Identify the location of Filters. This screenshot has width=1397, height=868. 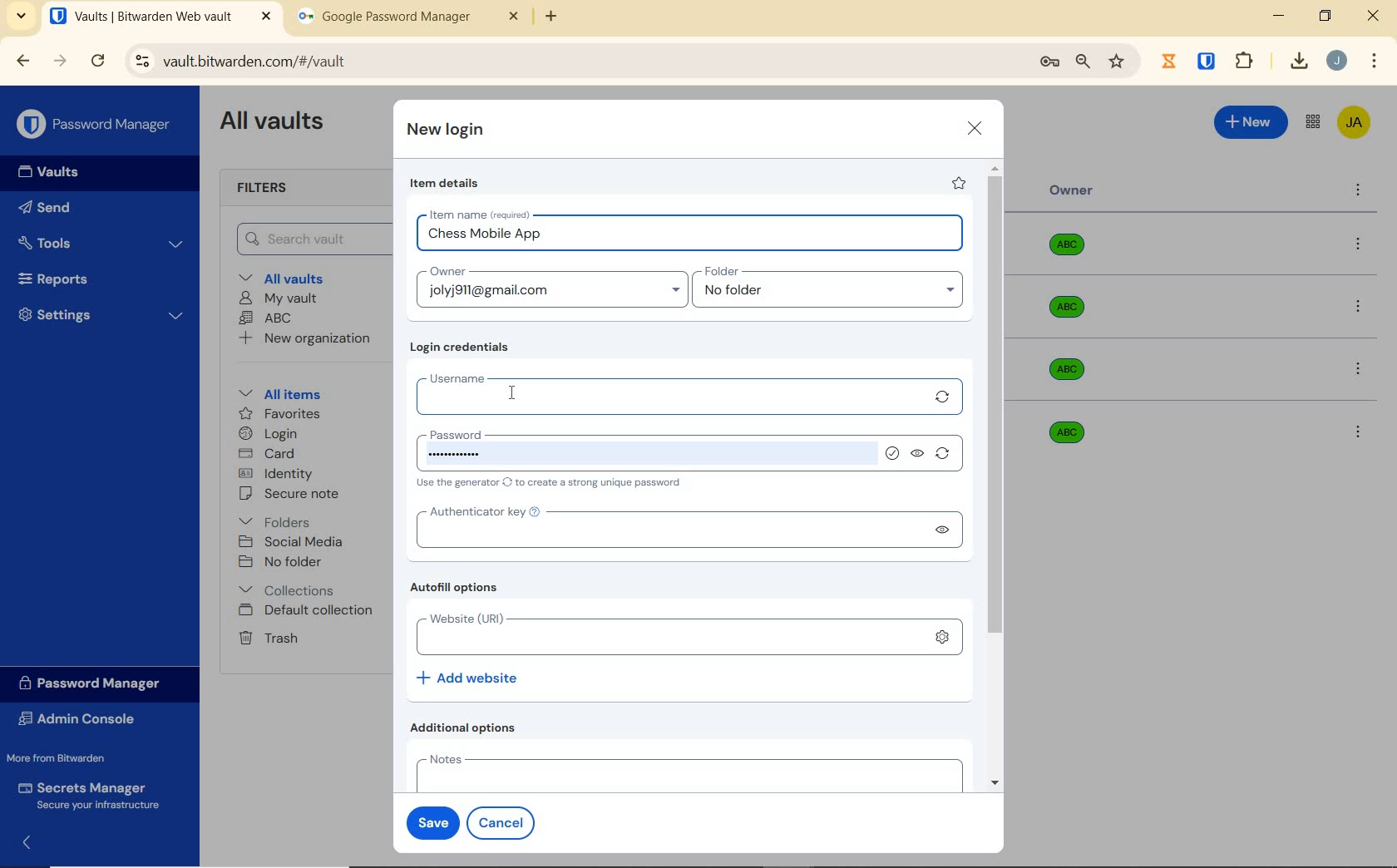
(268, 189).